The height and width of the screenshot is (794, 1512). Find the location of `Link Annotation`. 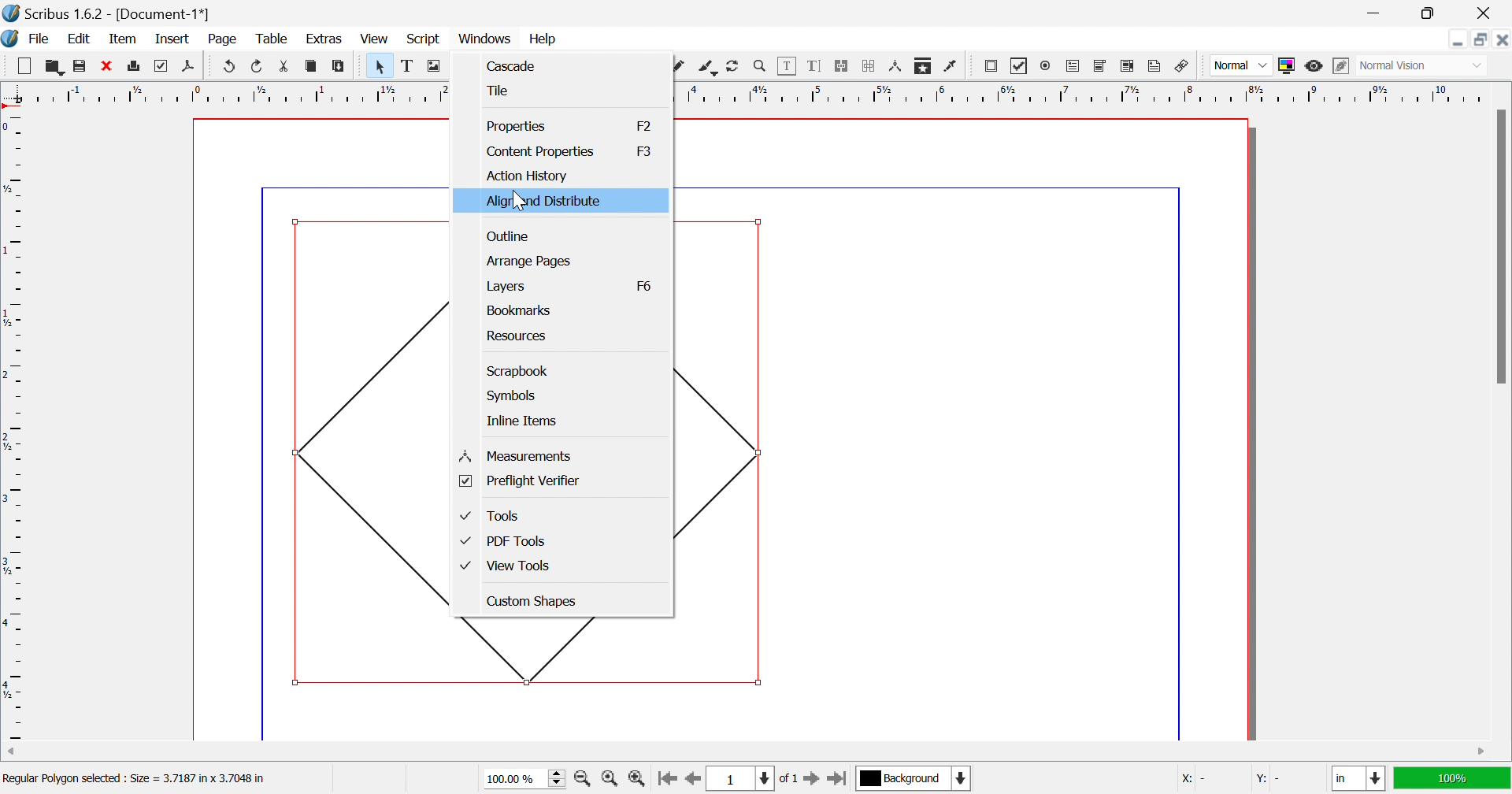

Link Annotation is located at coordinates (1182, 68).